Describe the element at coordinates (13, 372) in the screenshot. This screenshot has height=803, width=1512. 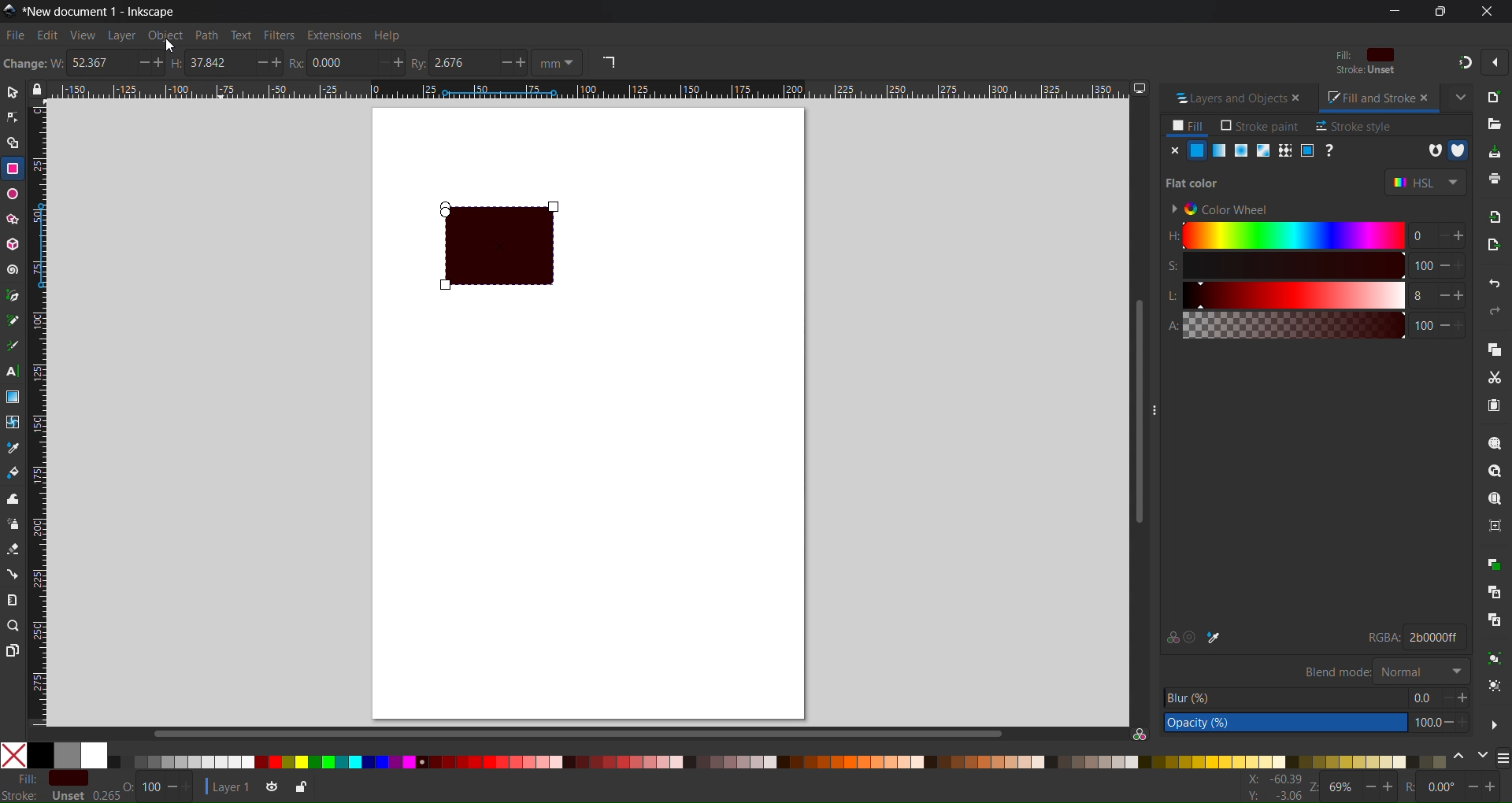
I see `Text tool` at that location.